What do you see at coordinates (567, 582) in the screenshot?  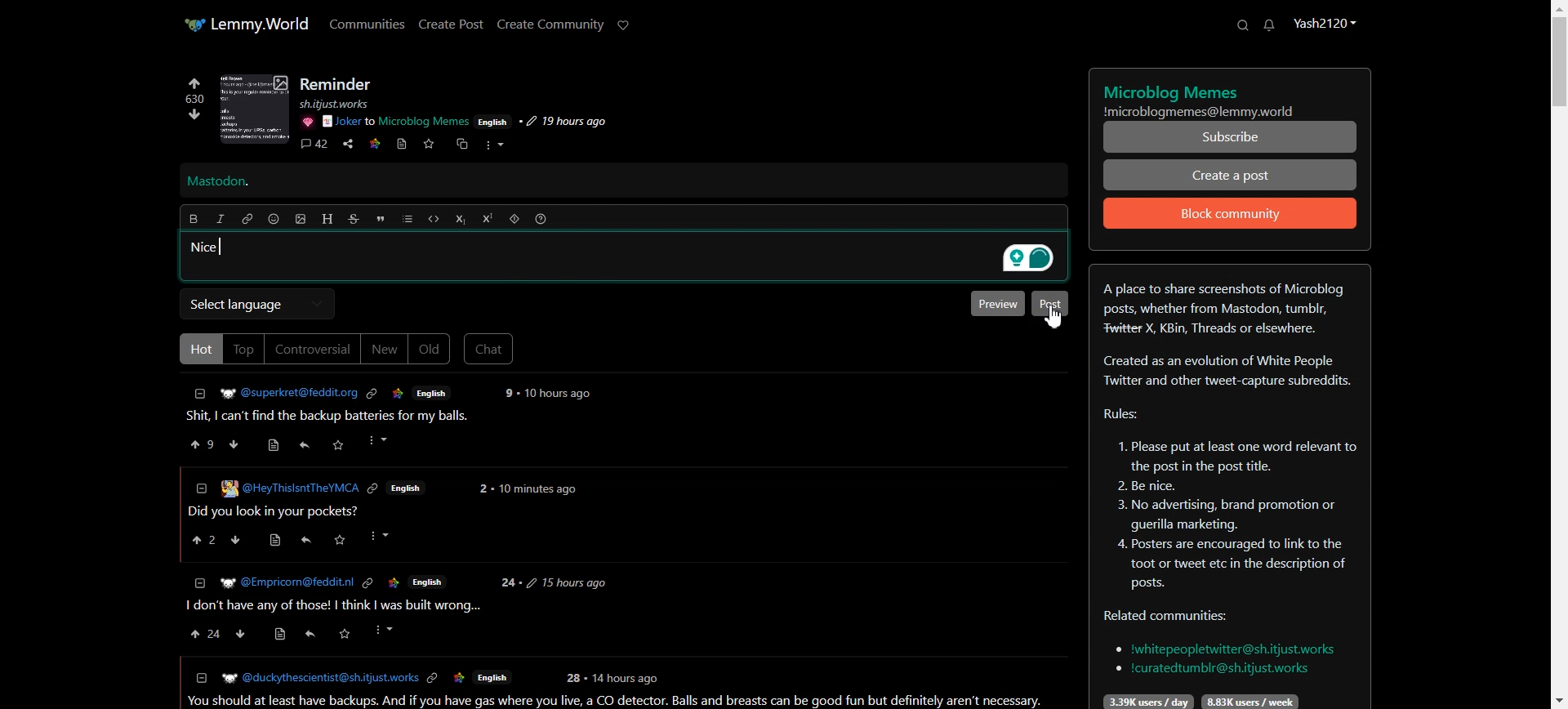 I see `` at bounding box center [567, 582].